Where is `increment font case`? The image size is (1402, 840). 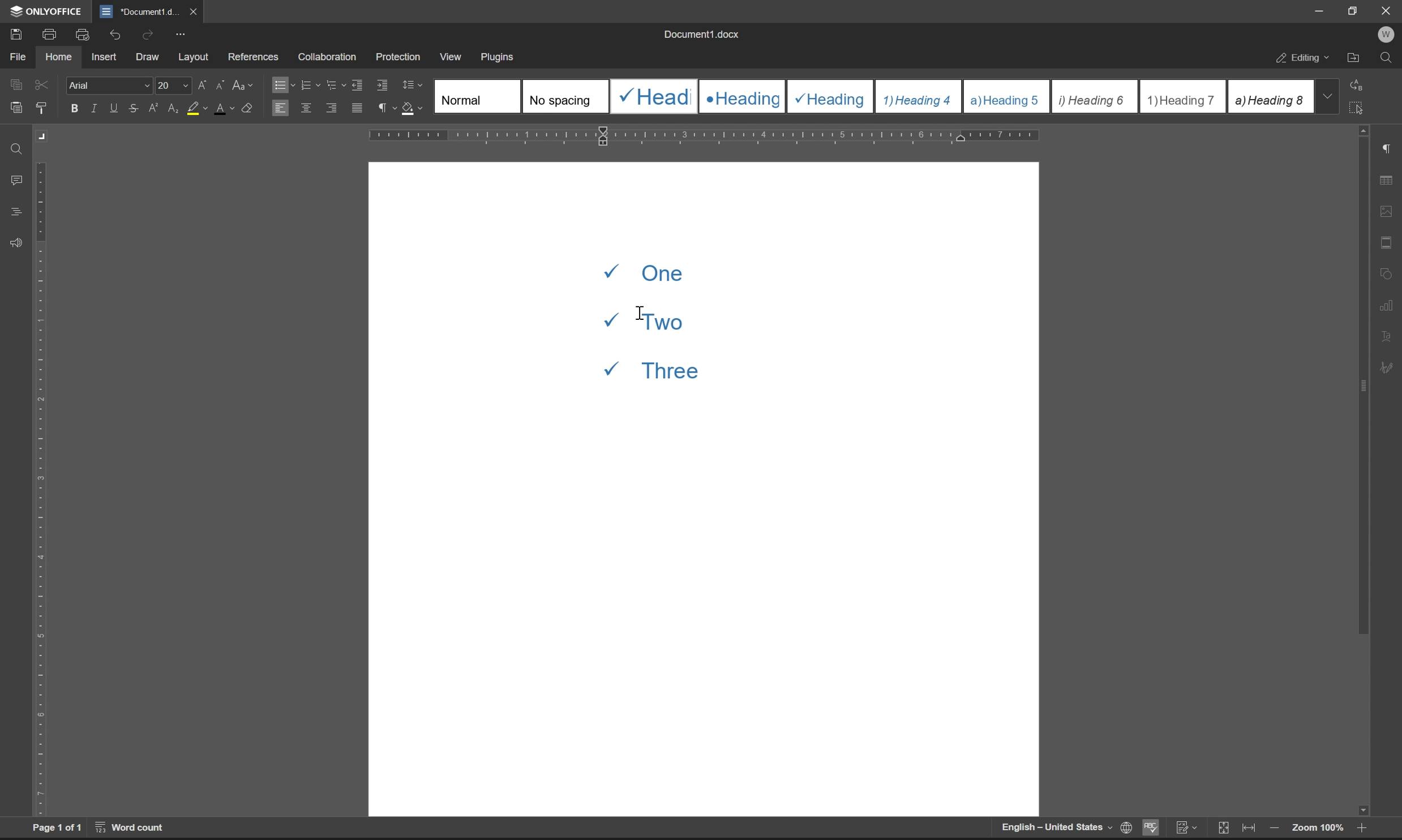
increment font case is located at coordinates (201, 83).